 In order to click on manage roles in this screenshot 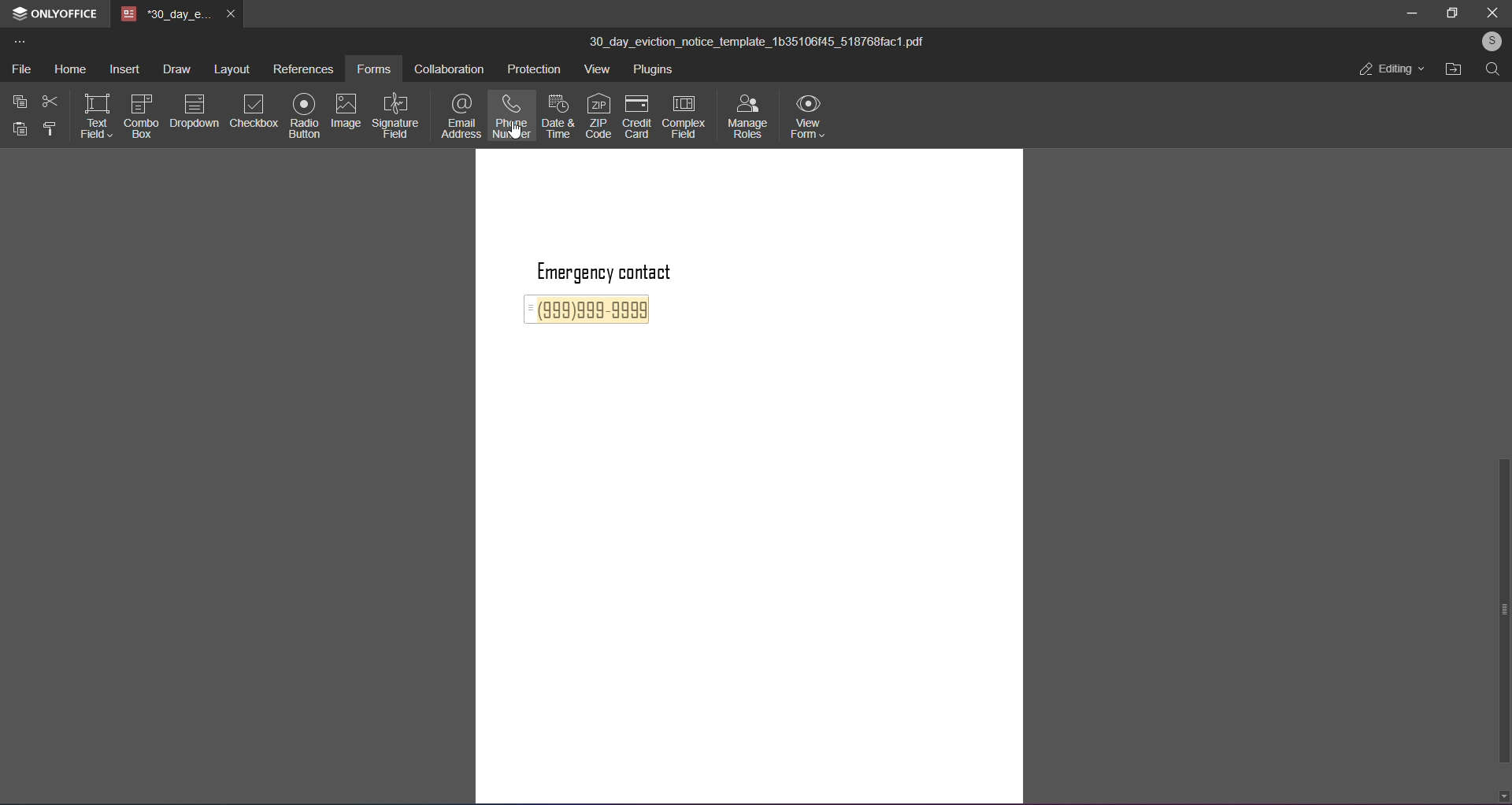, I will do `click(746, 117)`.